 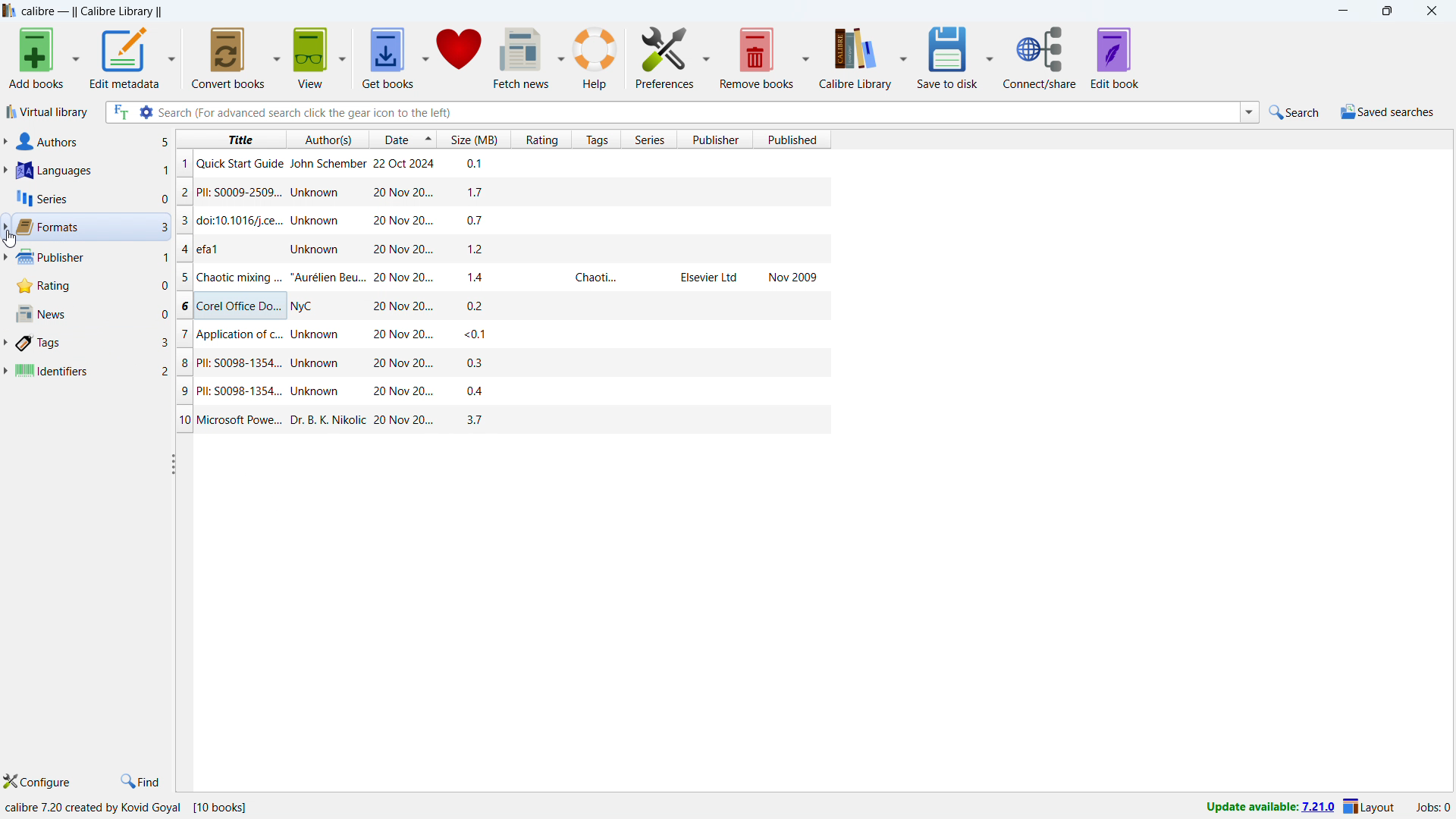 I want to click on sort by author, so click(x=326, y=138).